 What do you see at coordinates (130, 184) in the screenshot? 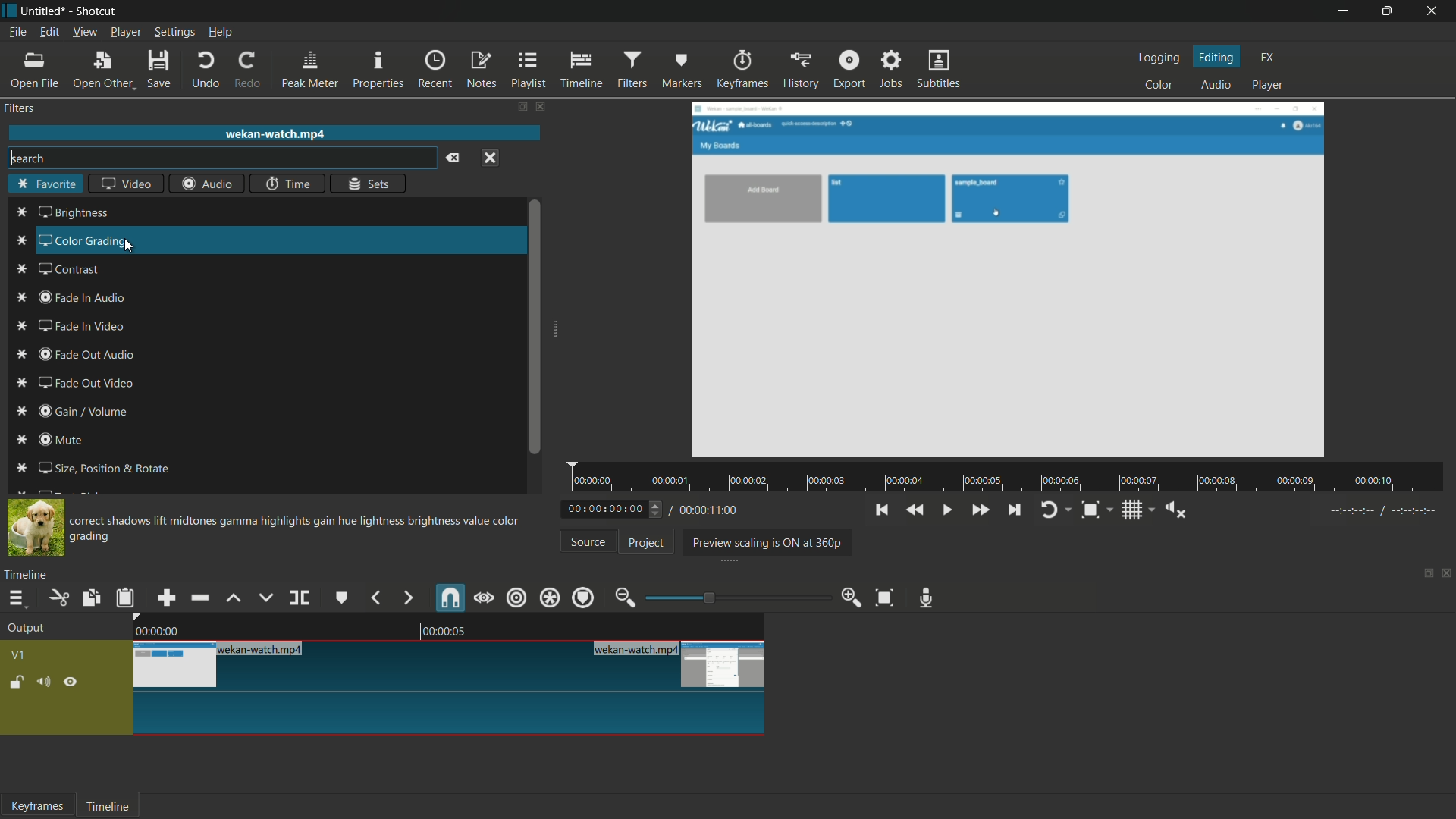
I see `video` at bounding box center [130, 184].